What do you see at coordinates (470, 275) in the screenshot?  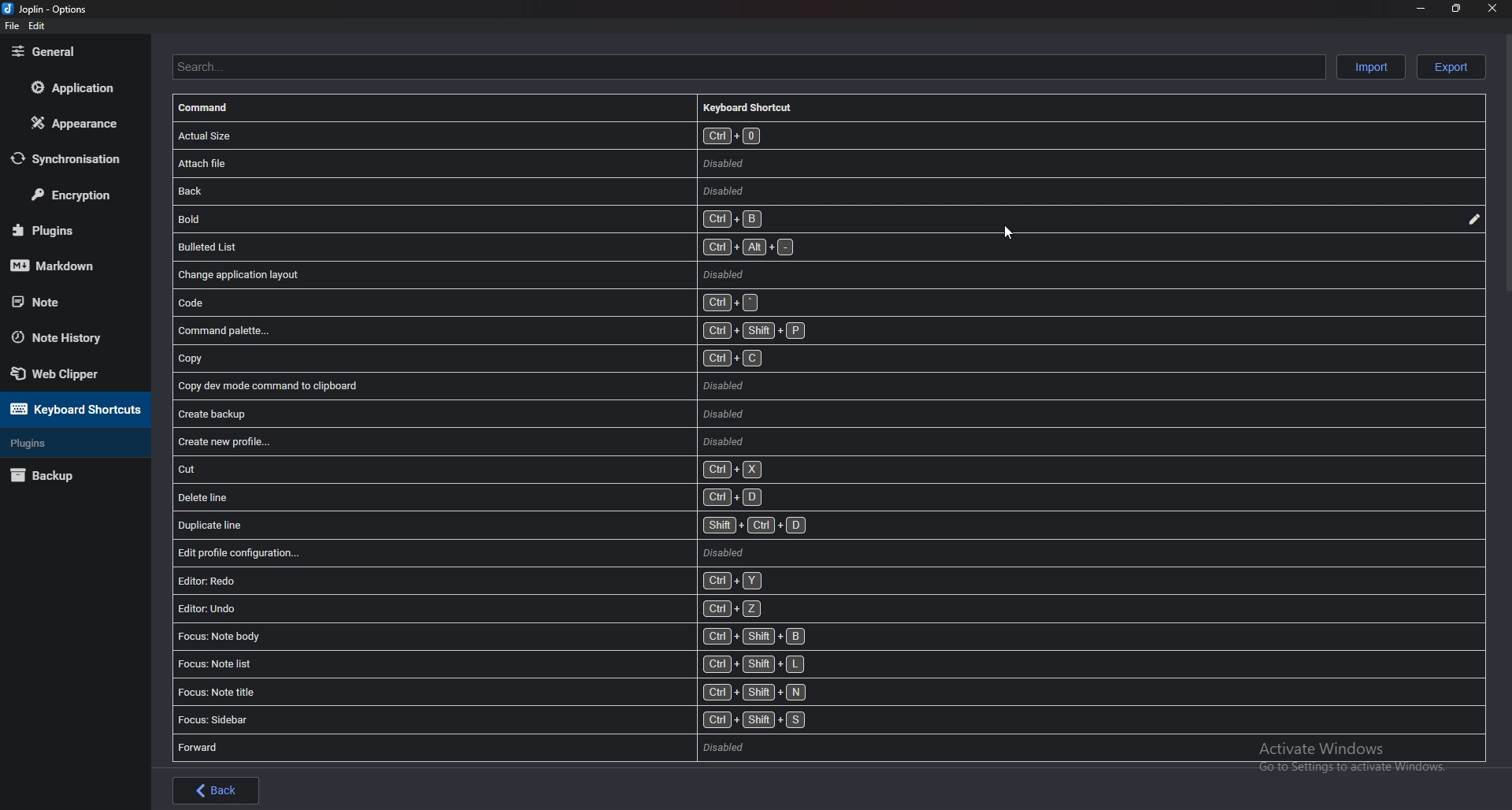 I see `change Application layout` at bounding box center [470, 275].